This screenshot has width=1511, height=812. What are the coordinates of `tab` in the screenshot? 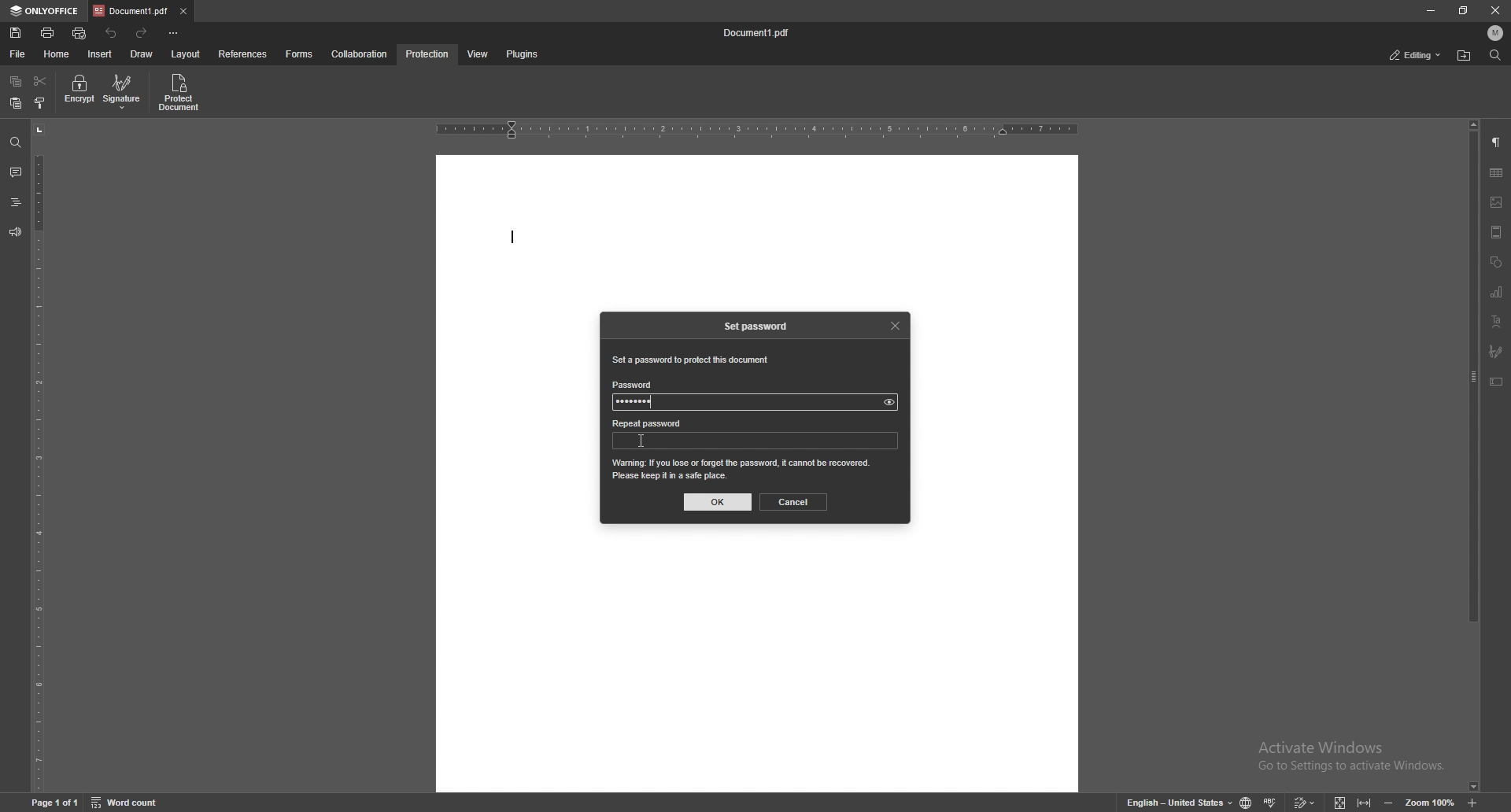 It's located at (131, 12).